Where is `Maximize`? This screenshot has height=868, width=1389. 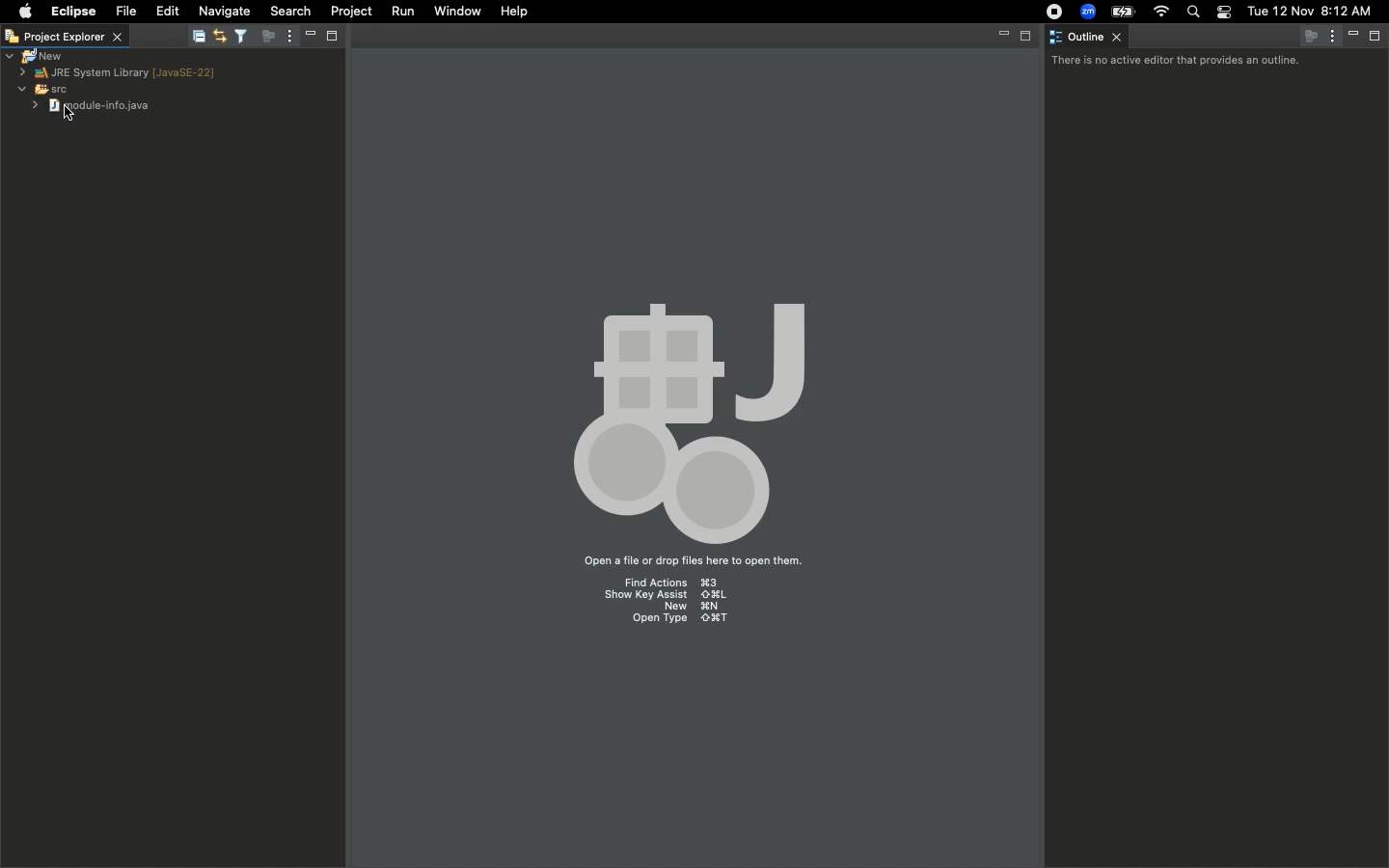
Maximize is located at coordinates (330, 36).